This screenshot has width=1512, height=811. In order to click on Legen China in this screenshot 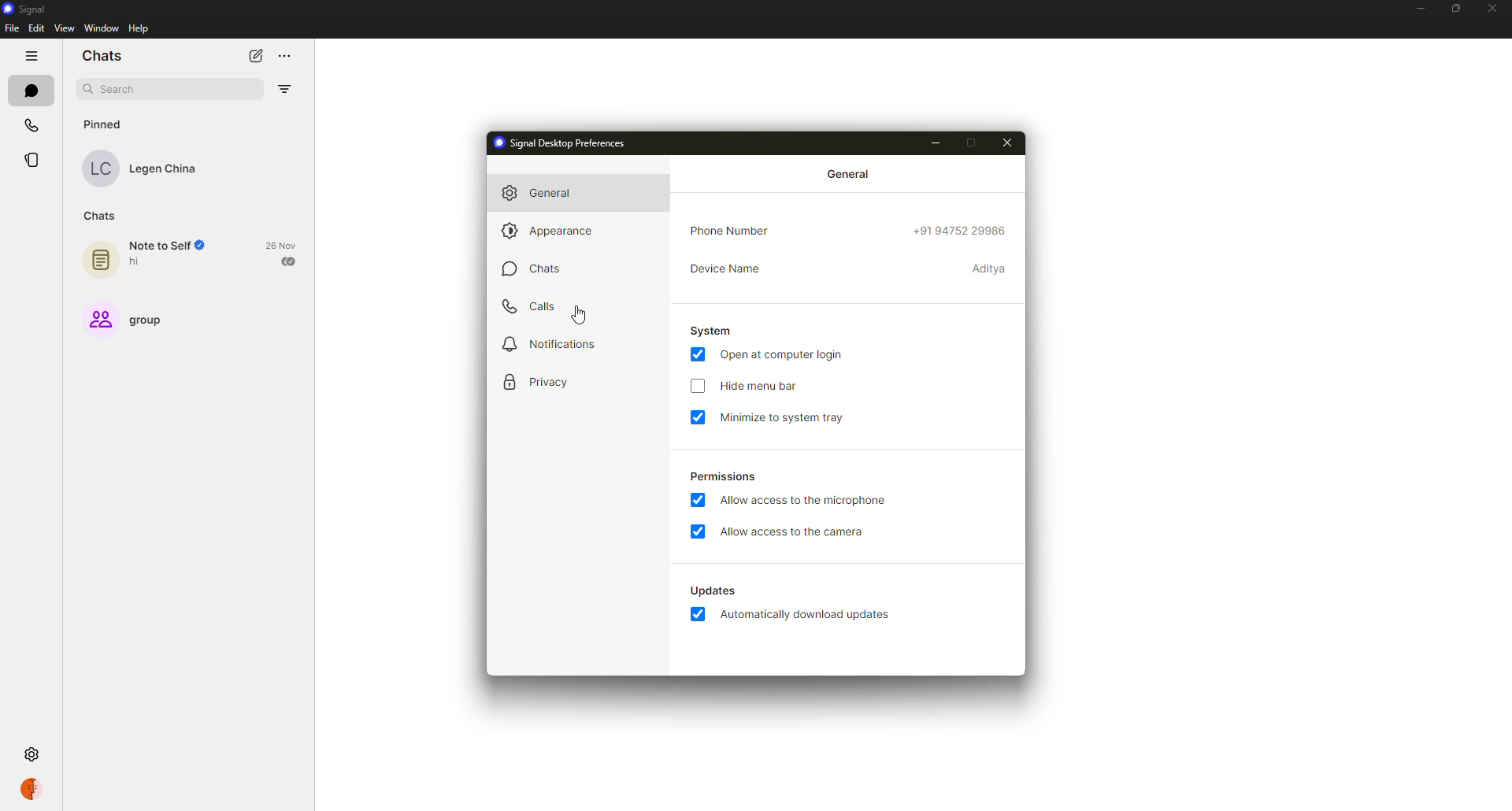, I will do `click(167, 171)`.